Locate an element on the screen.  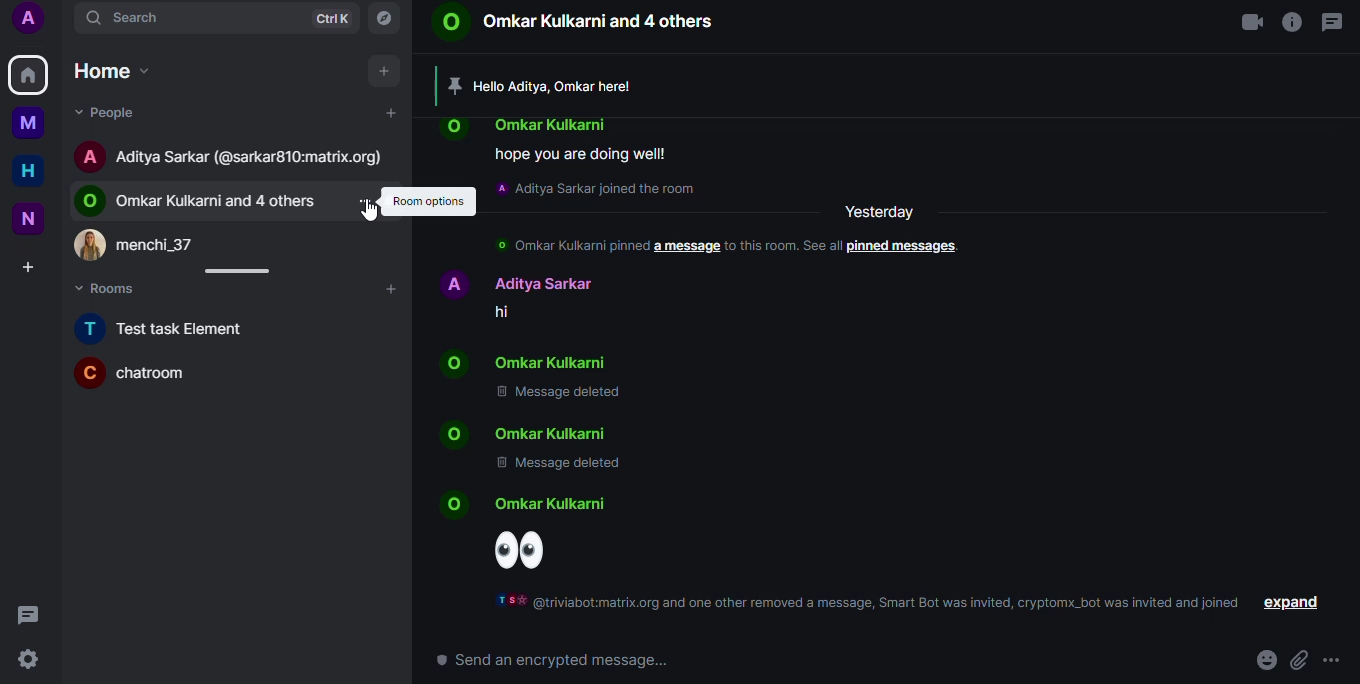
myspace is located at coordinates (29, 123).